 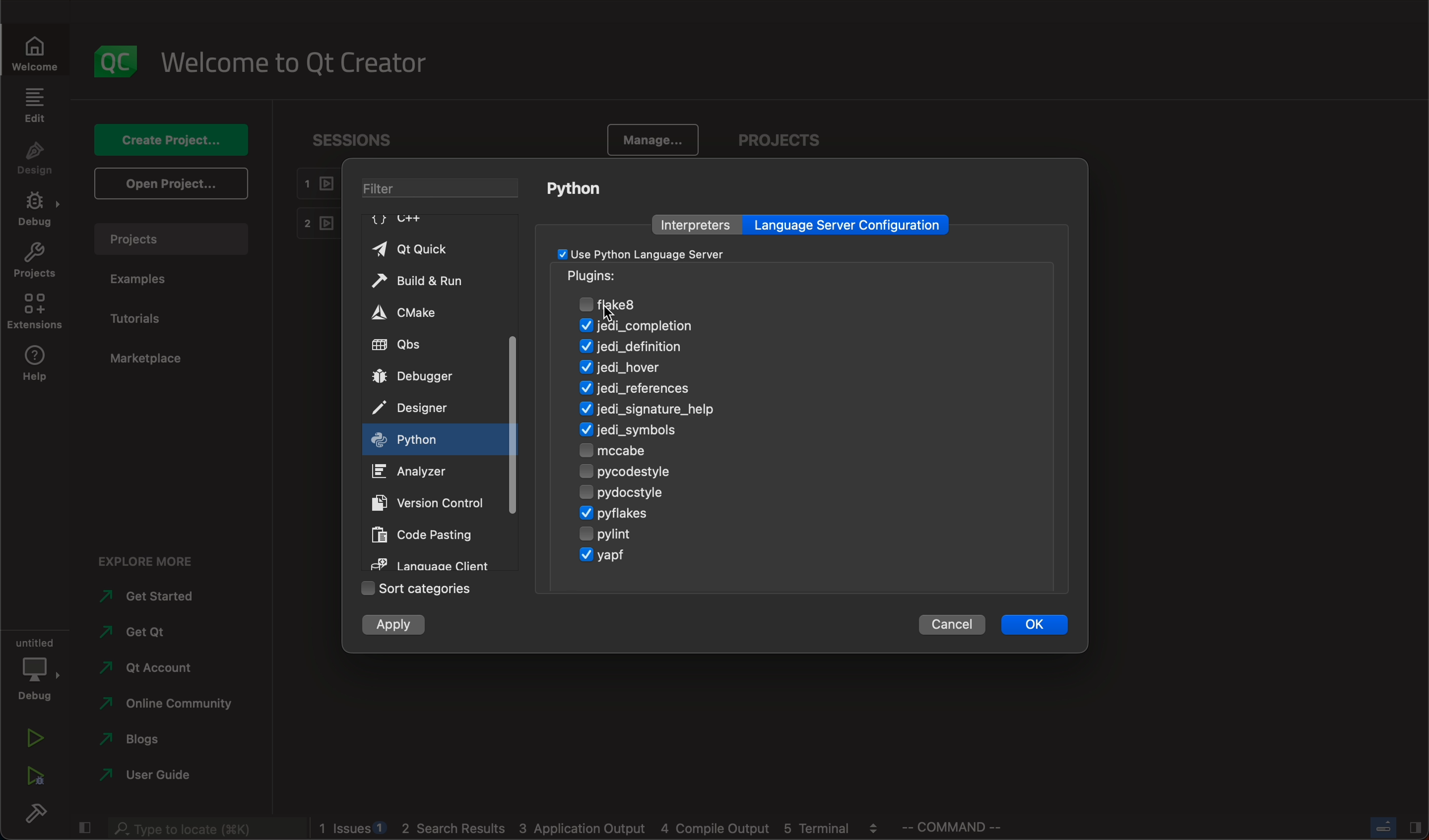 I want to click on refernces, so click(x=637, y=388).